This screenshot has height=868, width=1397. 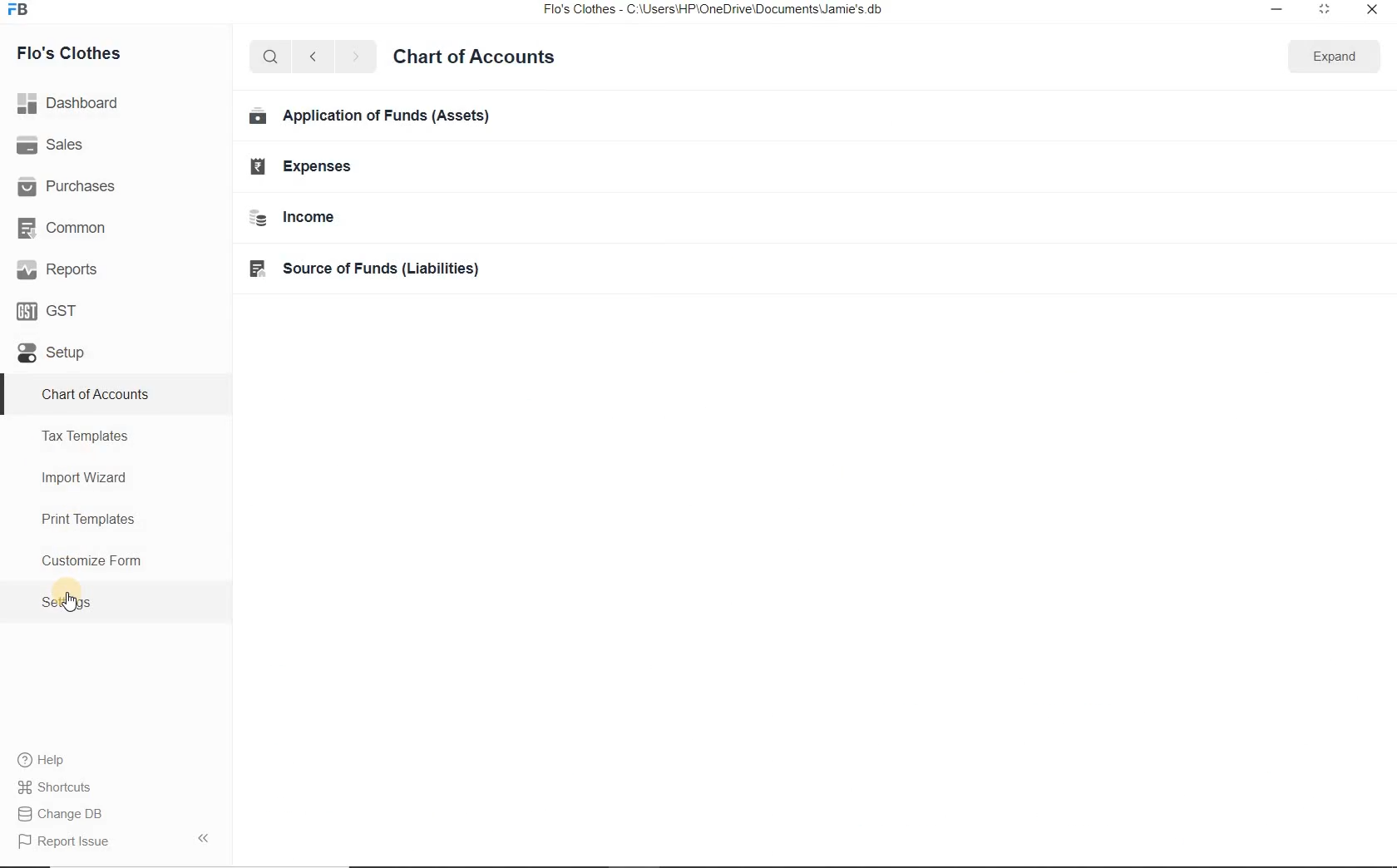 What do you see at coordinates (1327, 10) in the screenshot?
I see `Maximize` at bounding box center [1327, 10].